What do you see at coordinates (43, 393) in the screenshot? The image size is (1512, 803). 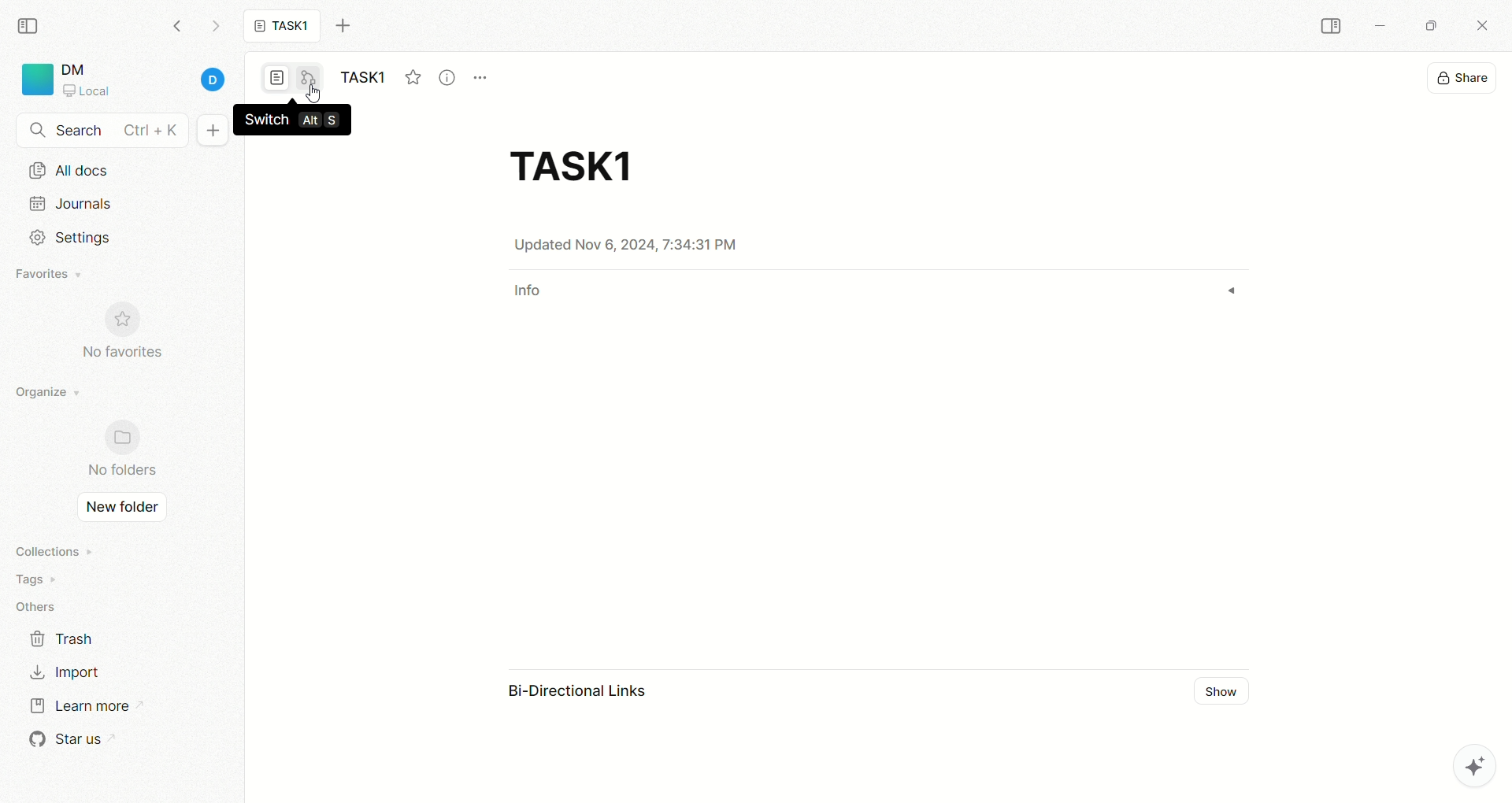 I see `organize` at bounding box center [43, 393].